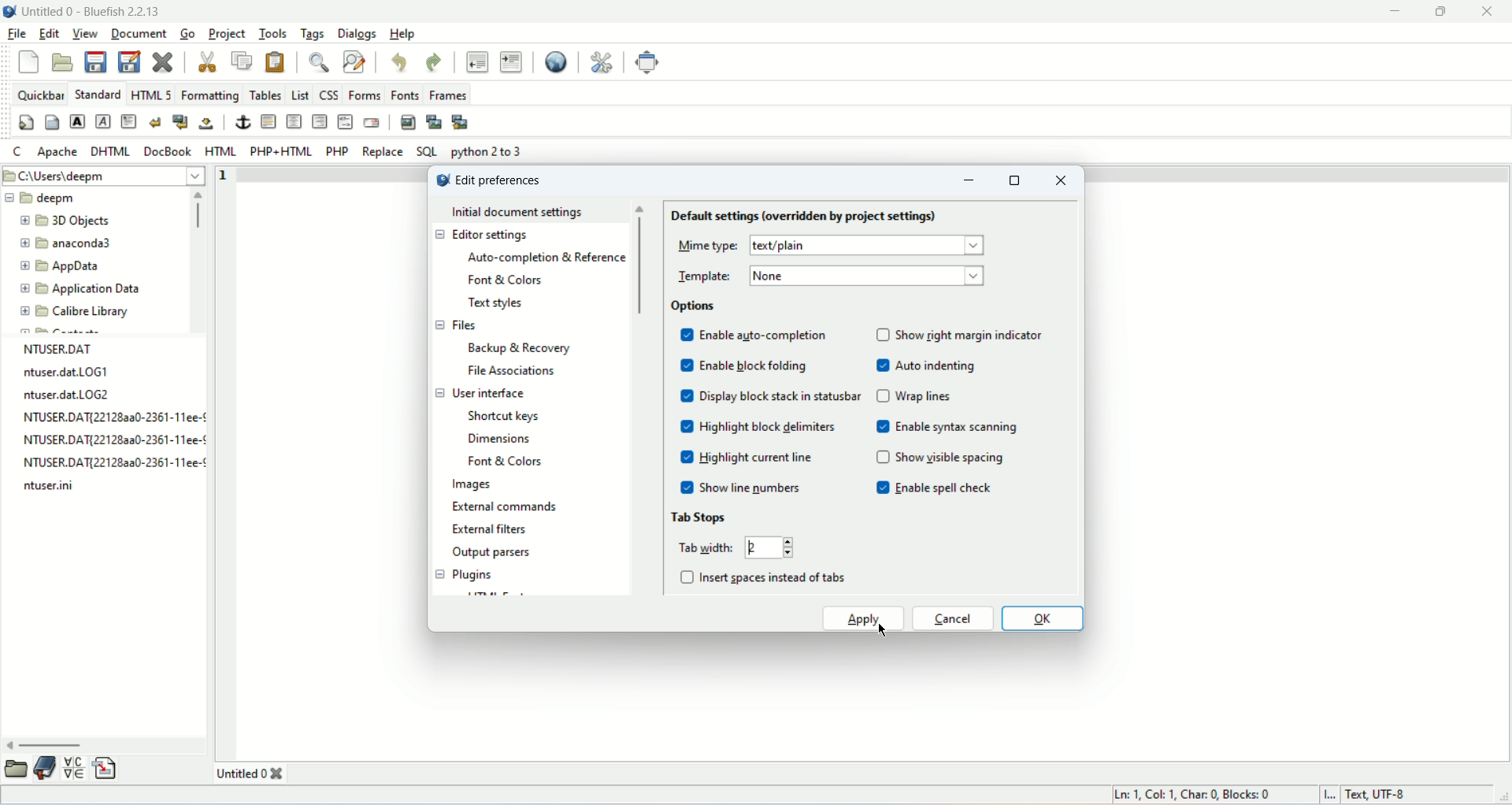  I want to click on plugins, so click(462, 575).